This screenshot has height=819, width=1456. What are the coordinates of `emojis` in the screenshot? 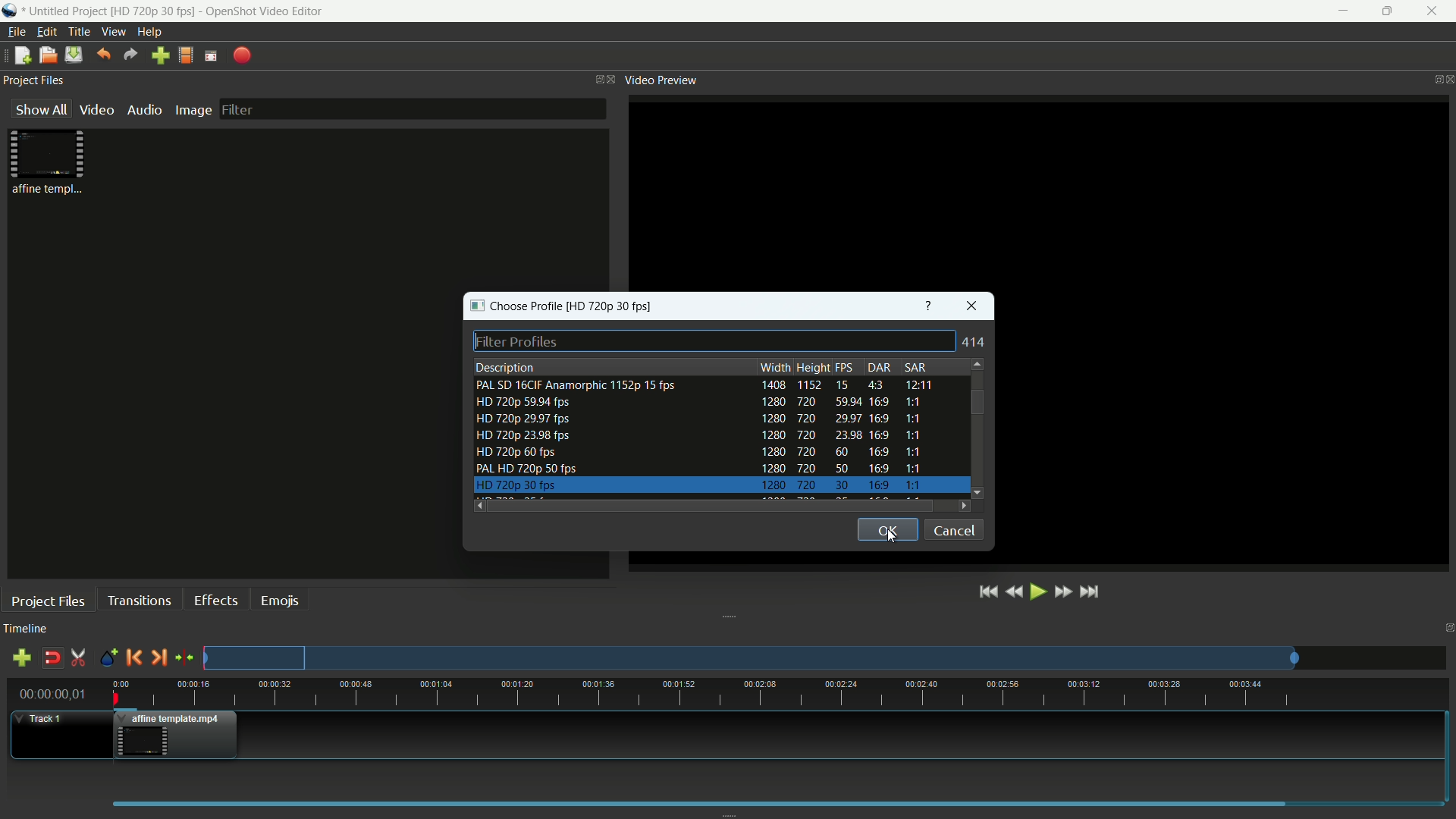 It's located at (281, 601).